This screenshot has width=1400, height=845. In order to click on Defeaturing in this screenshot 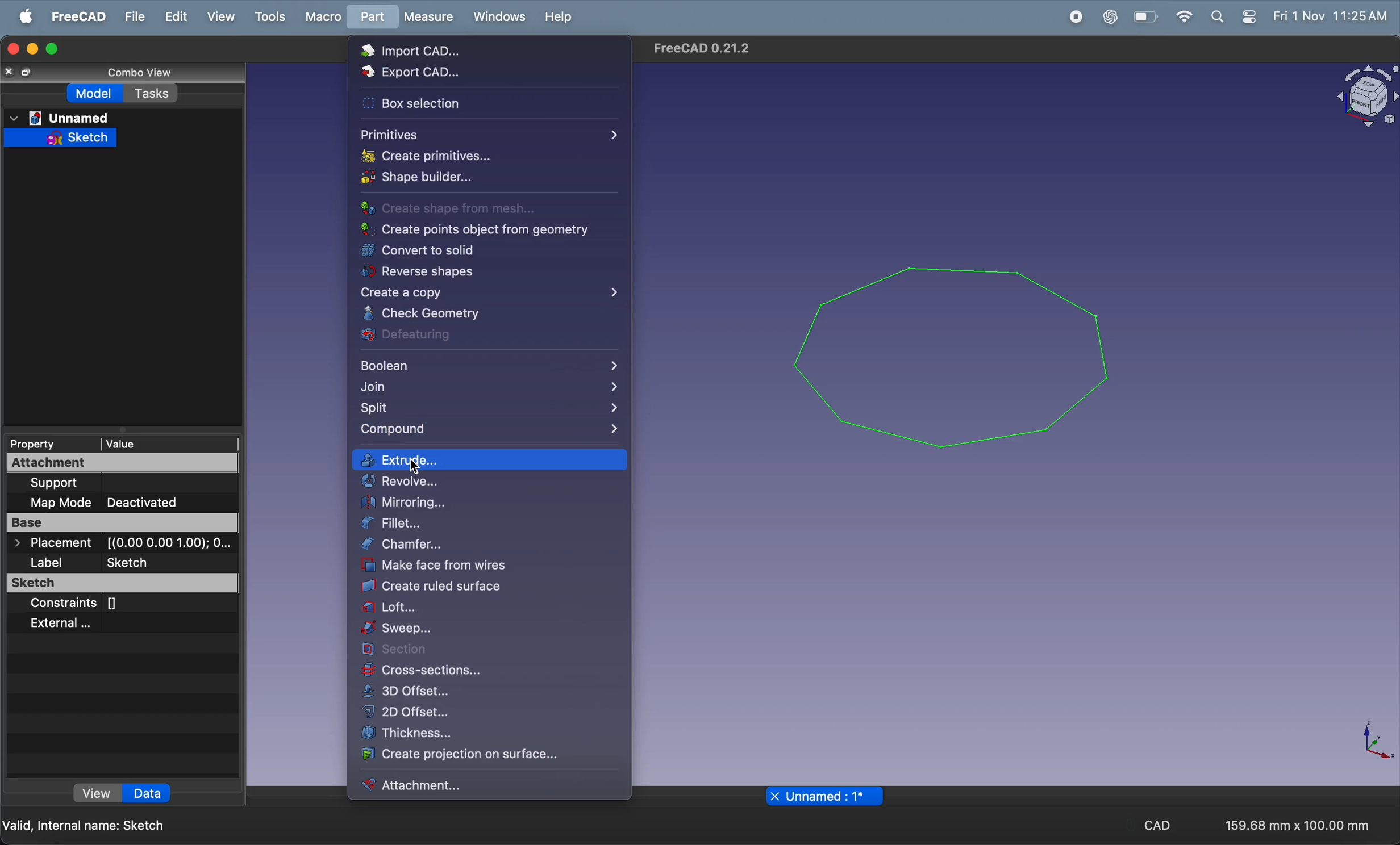, I will do `click(473, 336)`.